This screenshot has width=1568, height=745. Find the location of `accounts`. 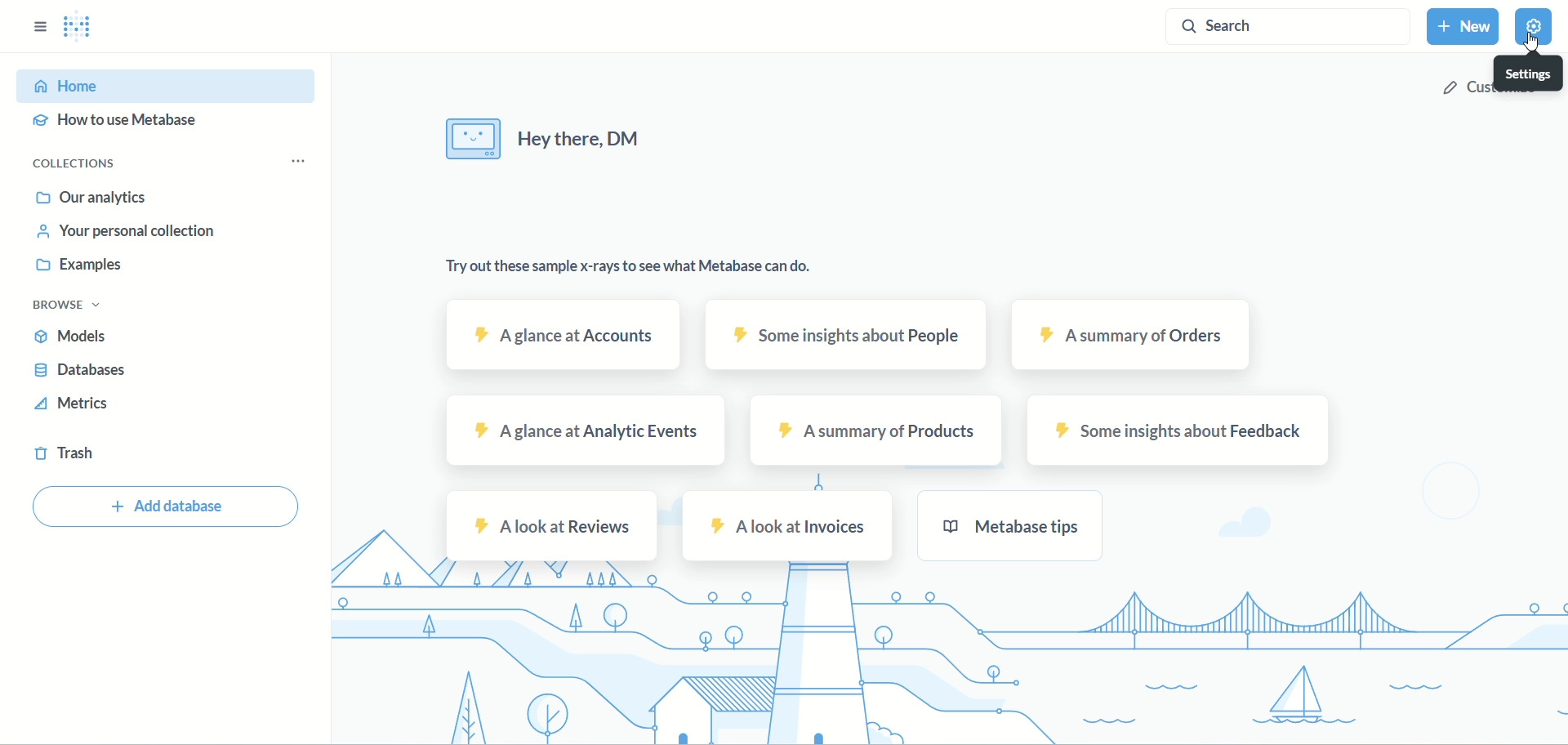

accounts is located at coordinates (564, 334).